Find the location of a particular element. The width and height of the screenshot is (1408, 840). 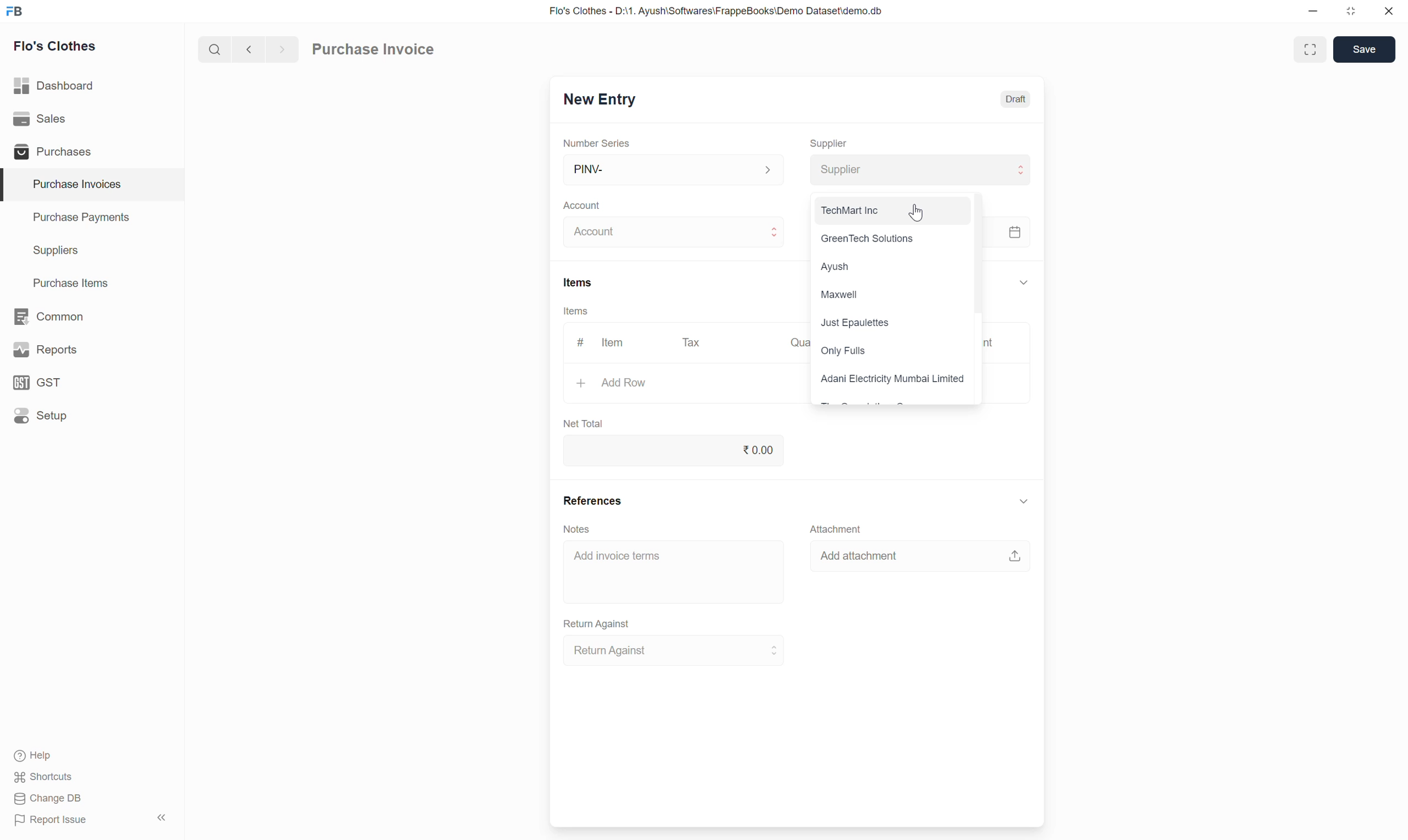

Close is located at coordinates (1389, 11).